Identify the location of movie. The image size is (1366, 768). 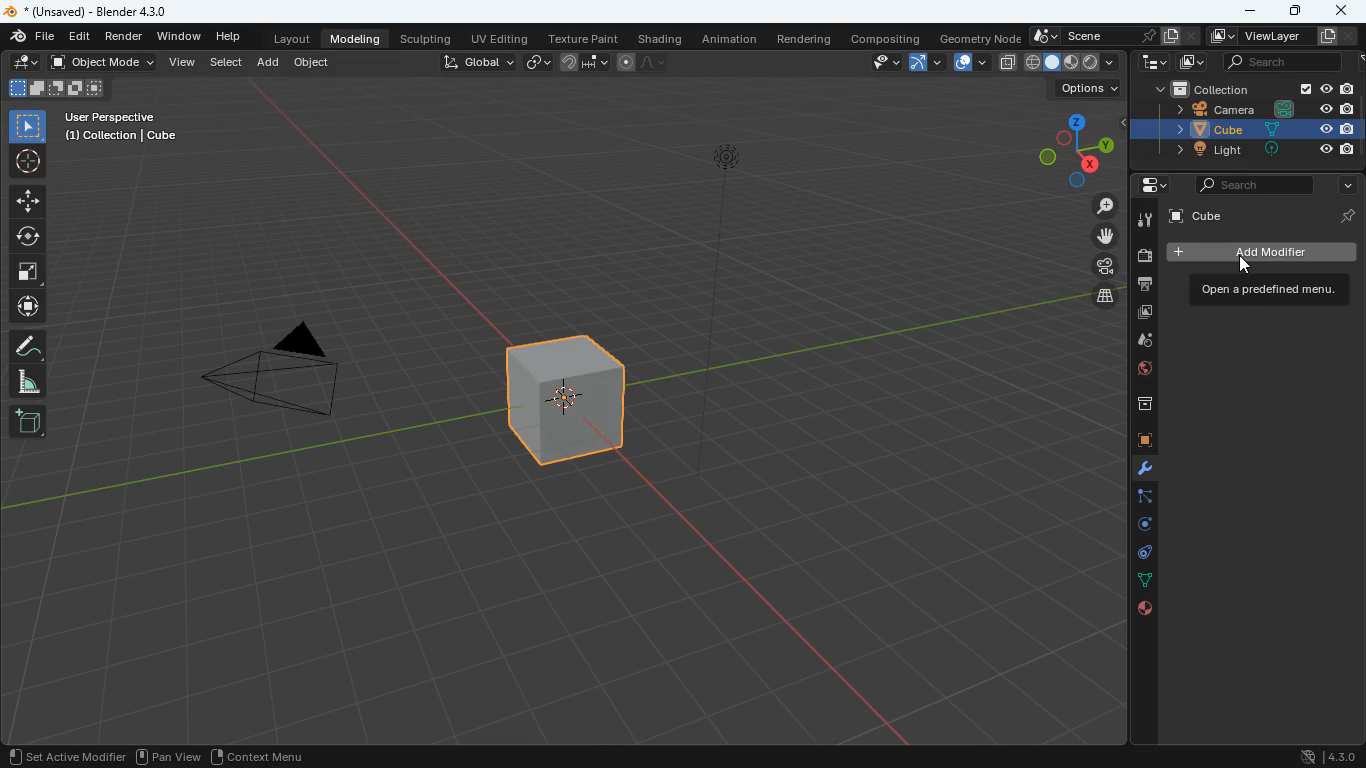
(1107, 267).